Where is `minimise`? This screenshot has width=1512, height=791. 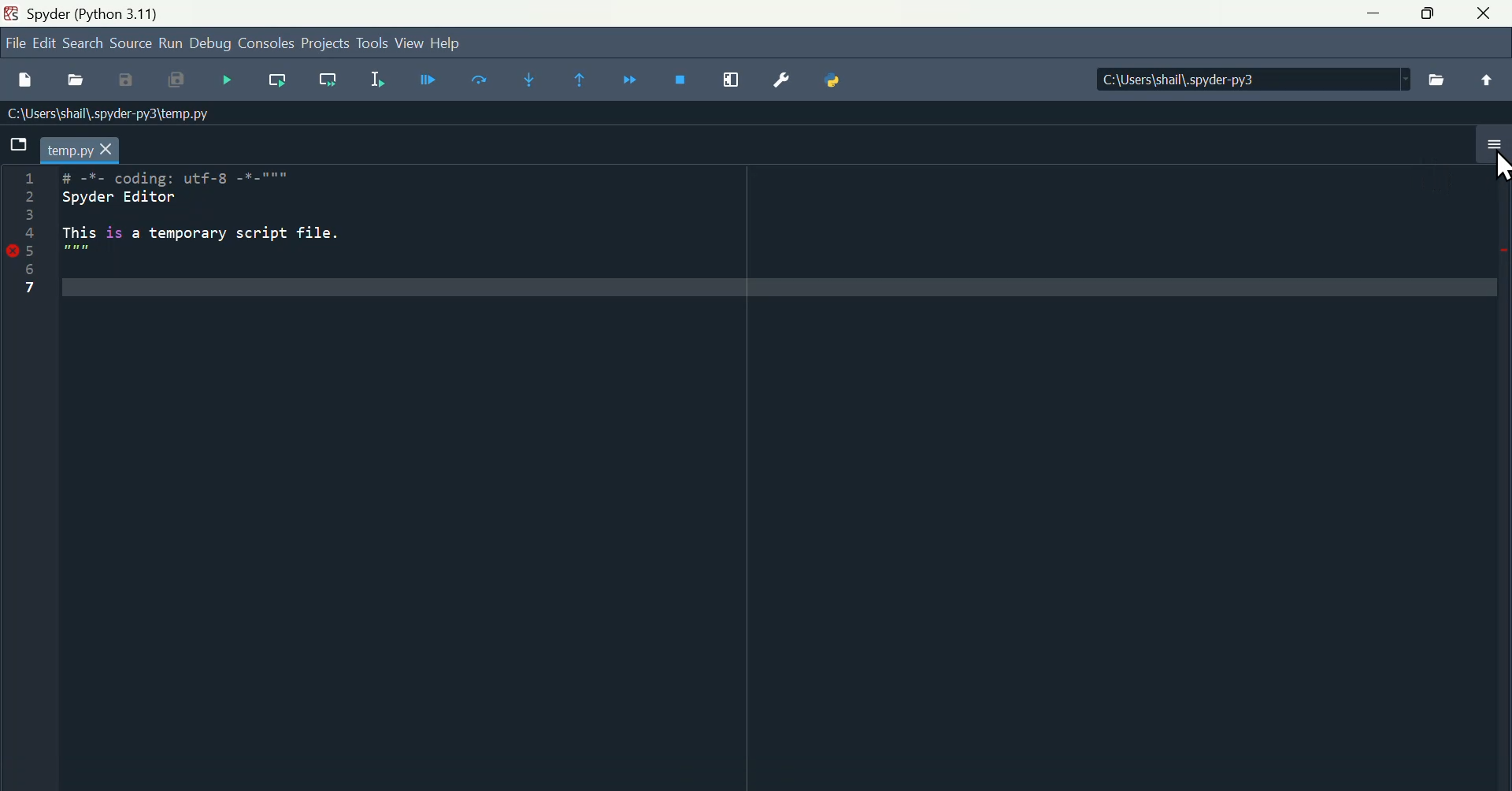
minimise is located at coordinates (1376, 13).